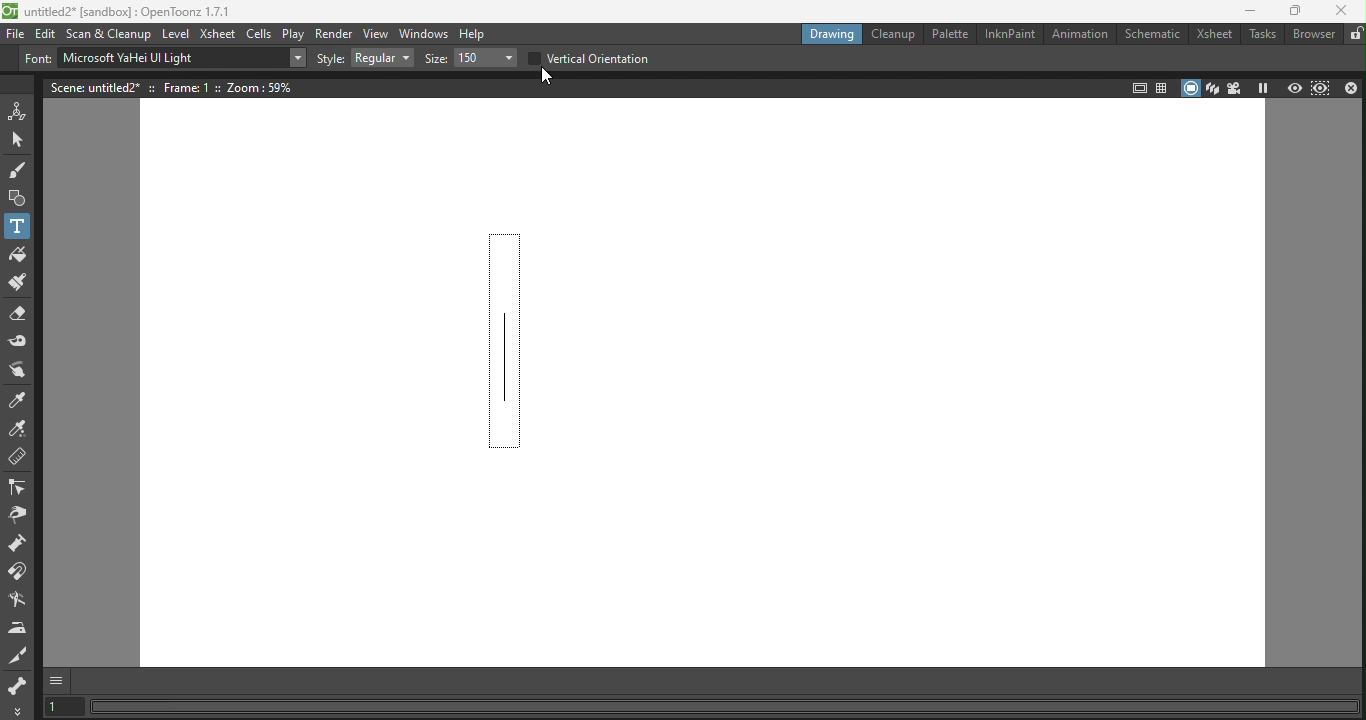 Image resolution: width=1366 pixels, height=720 pixels. I want to click on Drawing, so click(832, 34).